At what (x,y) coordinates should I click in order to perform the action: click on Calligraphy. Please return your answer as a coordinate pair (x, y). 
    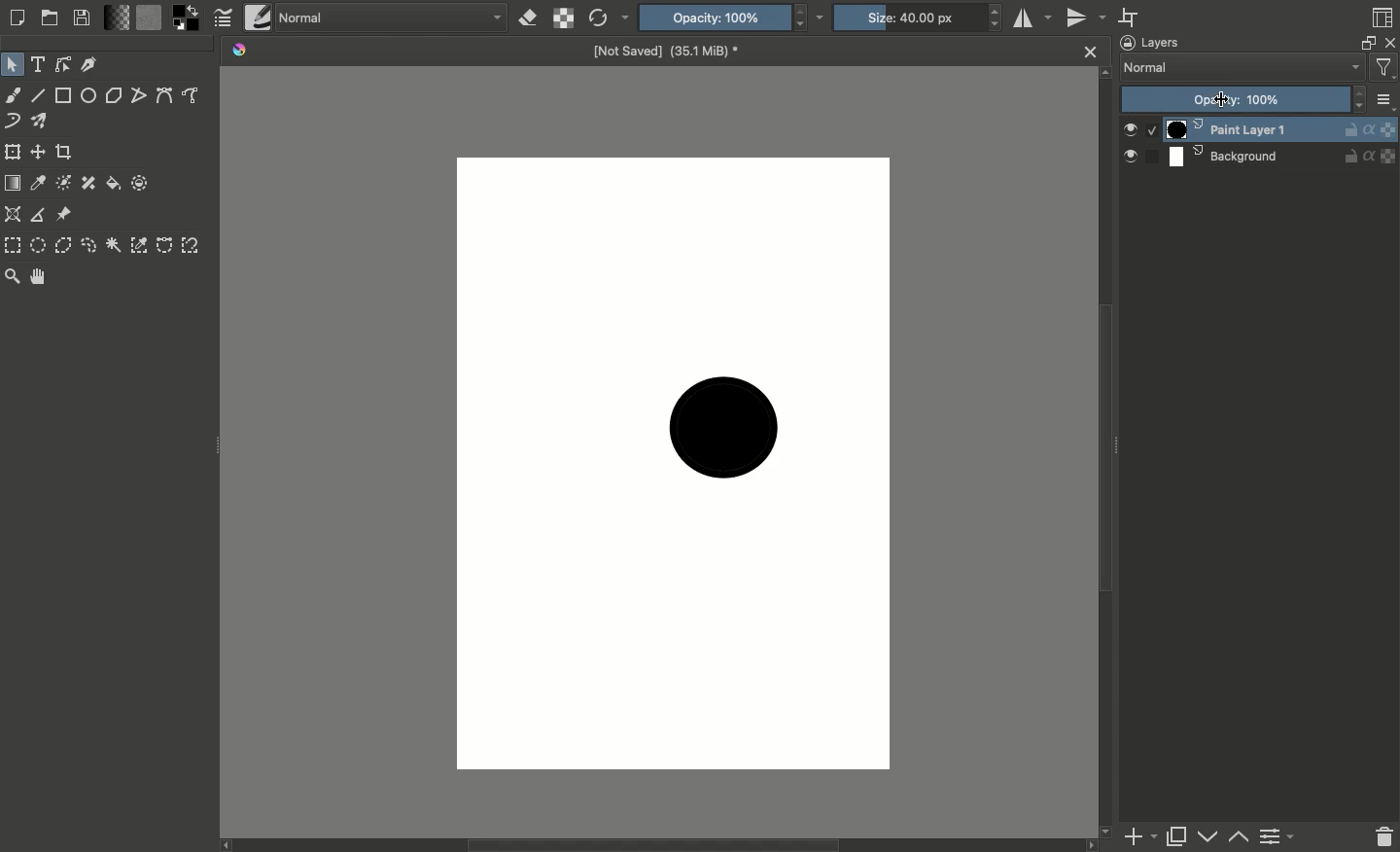
    Looking at the image, I should click on (91, 64).